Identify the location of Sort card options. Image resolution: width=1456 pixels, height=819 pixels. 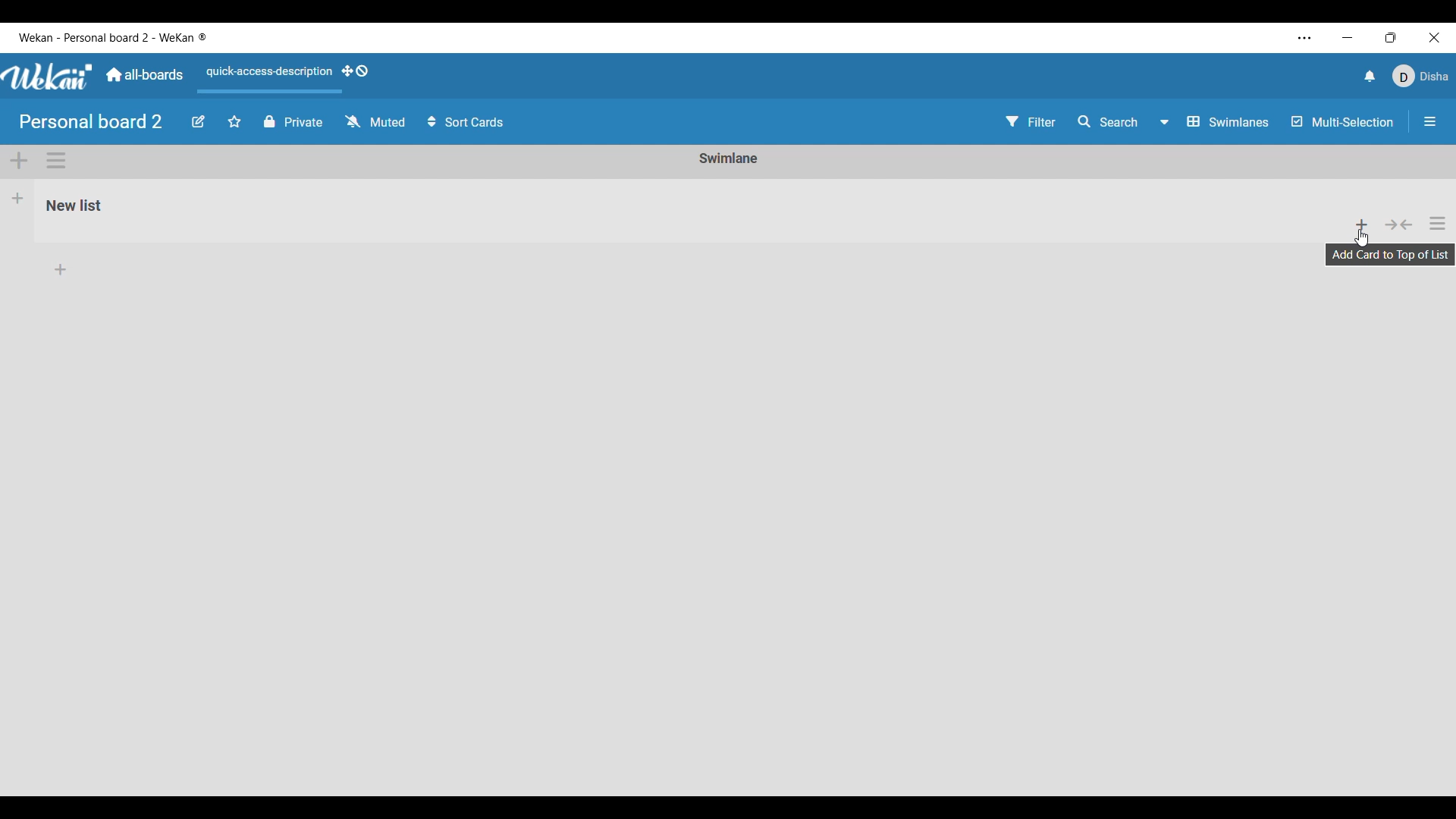
(466, 121).